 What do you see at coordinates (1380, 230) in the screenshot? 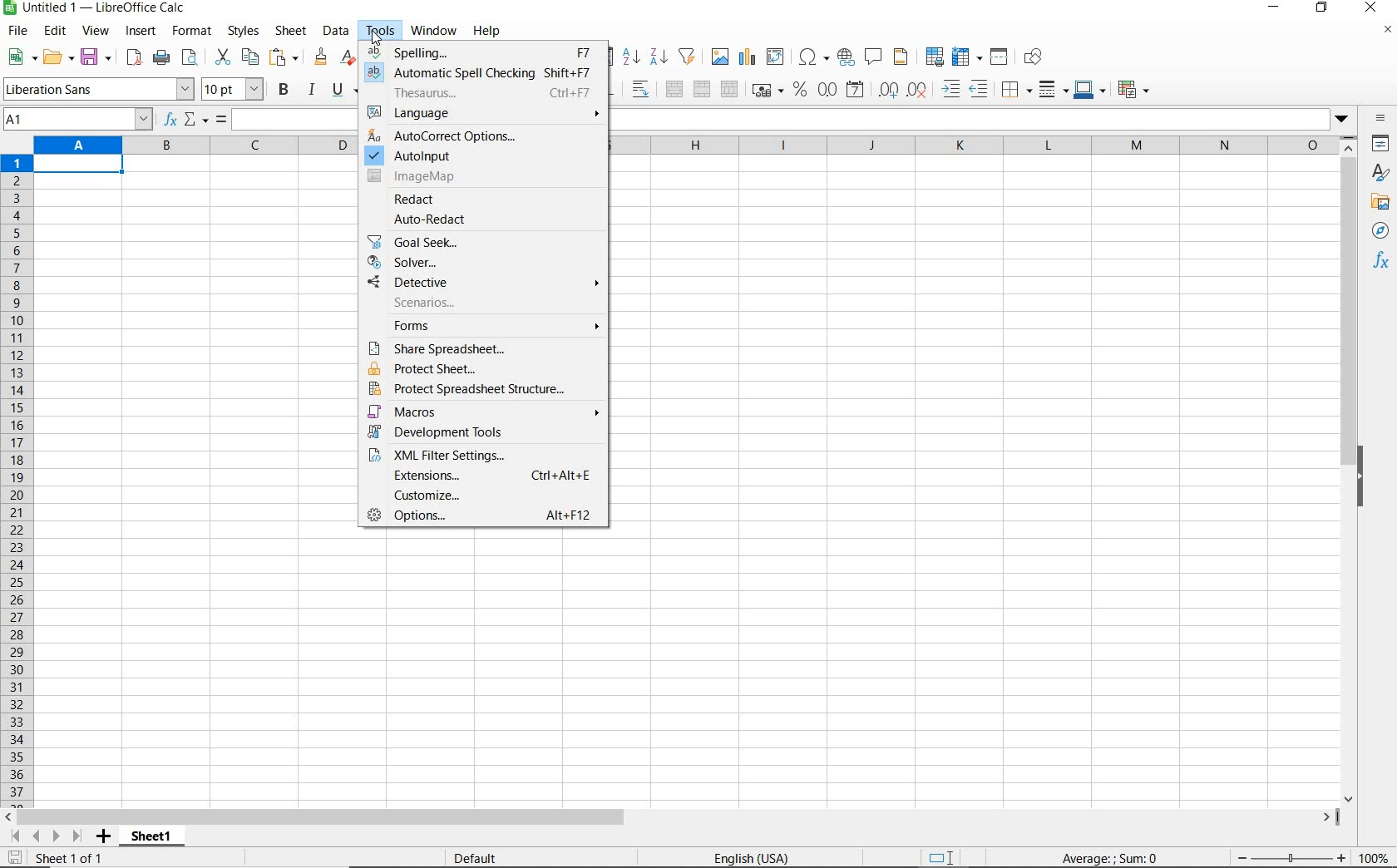
I see `NAVIGATOR` at bounding box center [1380, 230].